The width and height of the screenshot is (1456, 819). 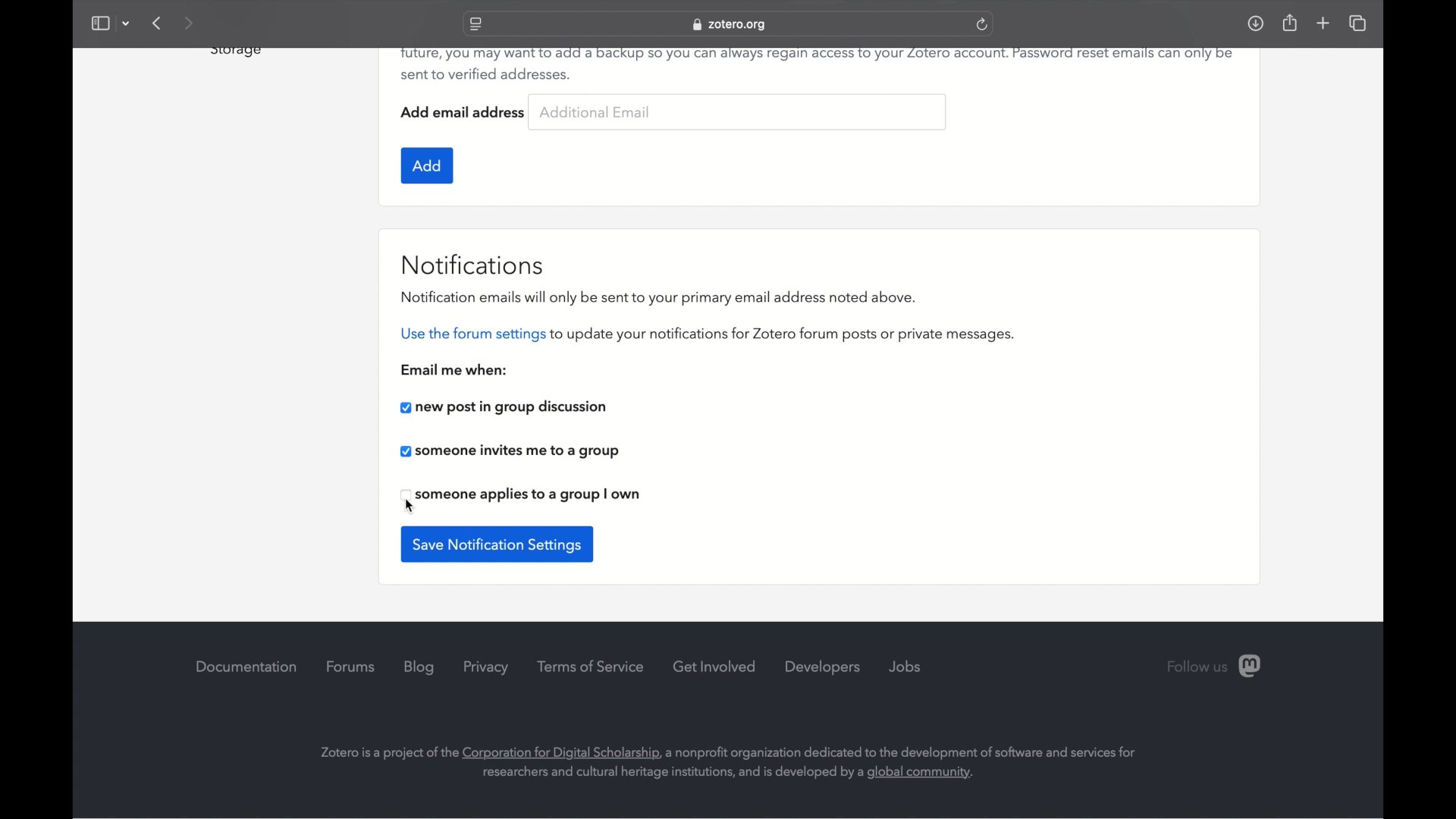 I want to click on downloads, so click(x=1255, y=23).